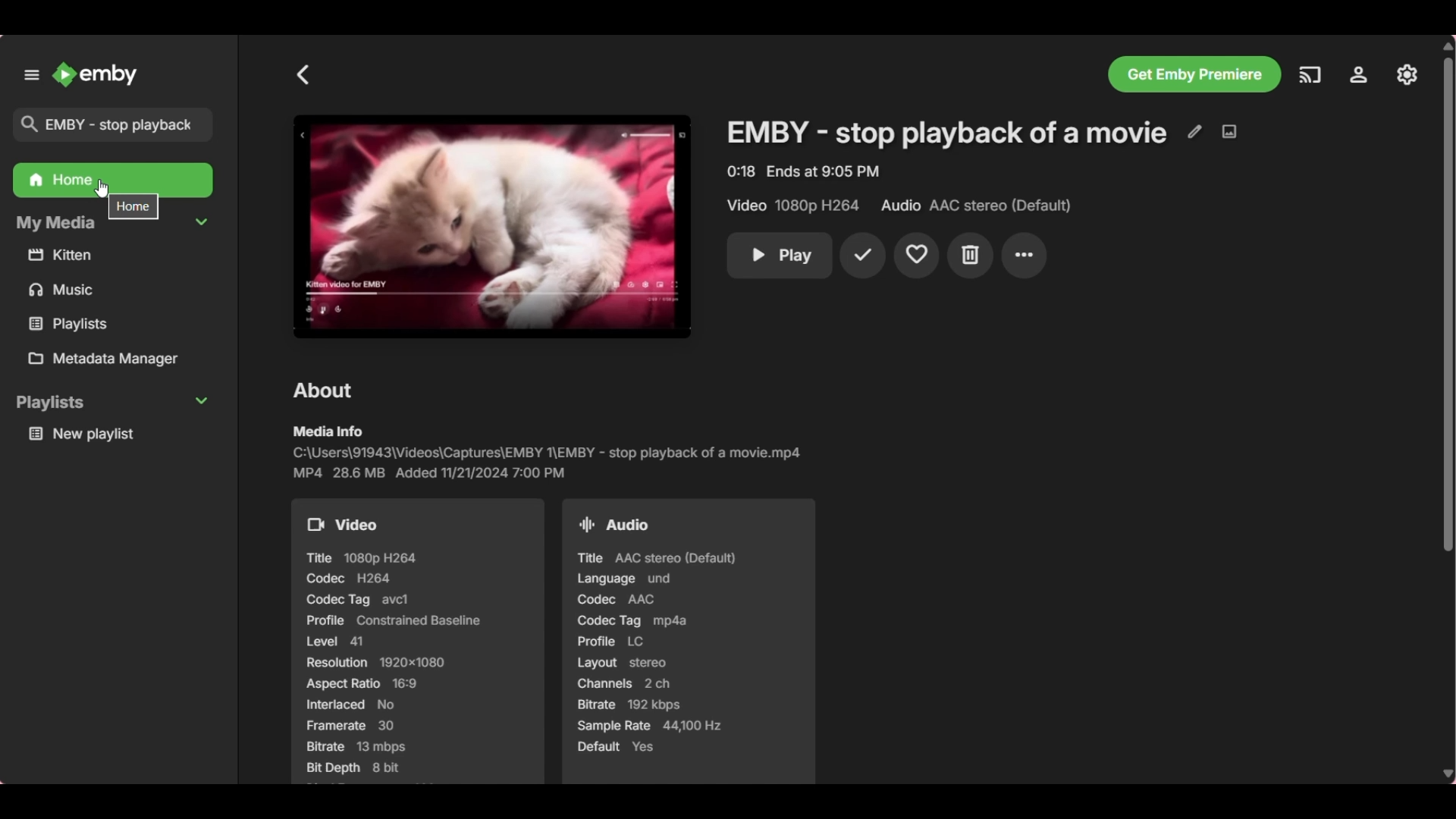 The image size is (1456, 819). What do you see at coordinates (118, 434) in the screenshot?
I see `New playlist` at bounding box center [118, 434].